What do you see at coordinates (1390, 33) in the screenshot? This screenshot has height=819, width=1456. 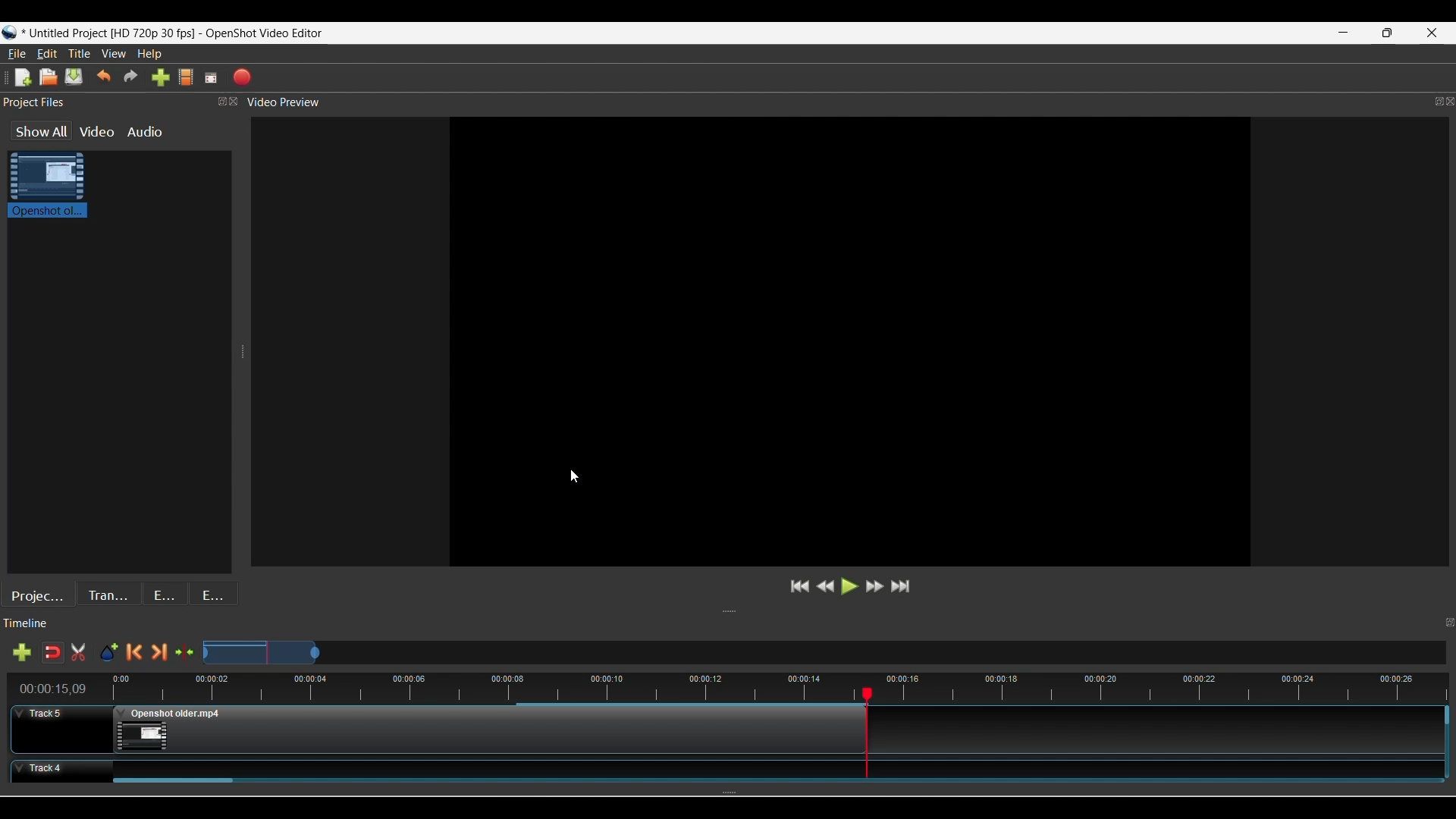 I see `Restore` at bounding box center [1390, 33].